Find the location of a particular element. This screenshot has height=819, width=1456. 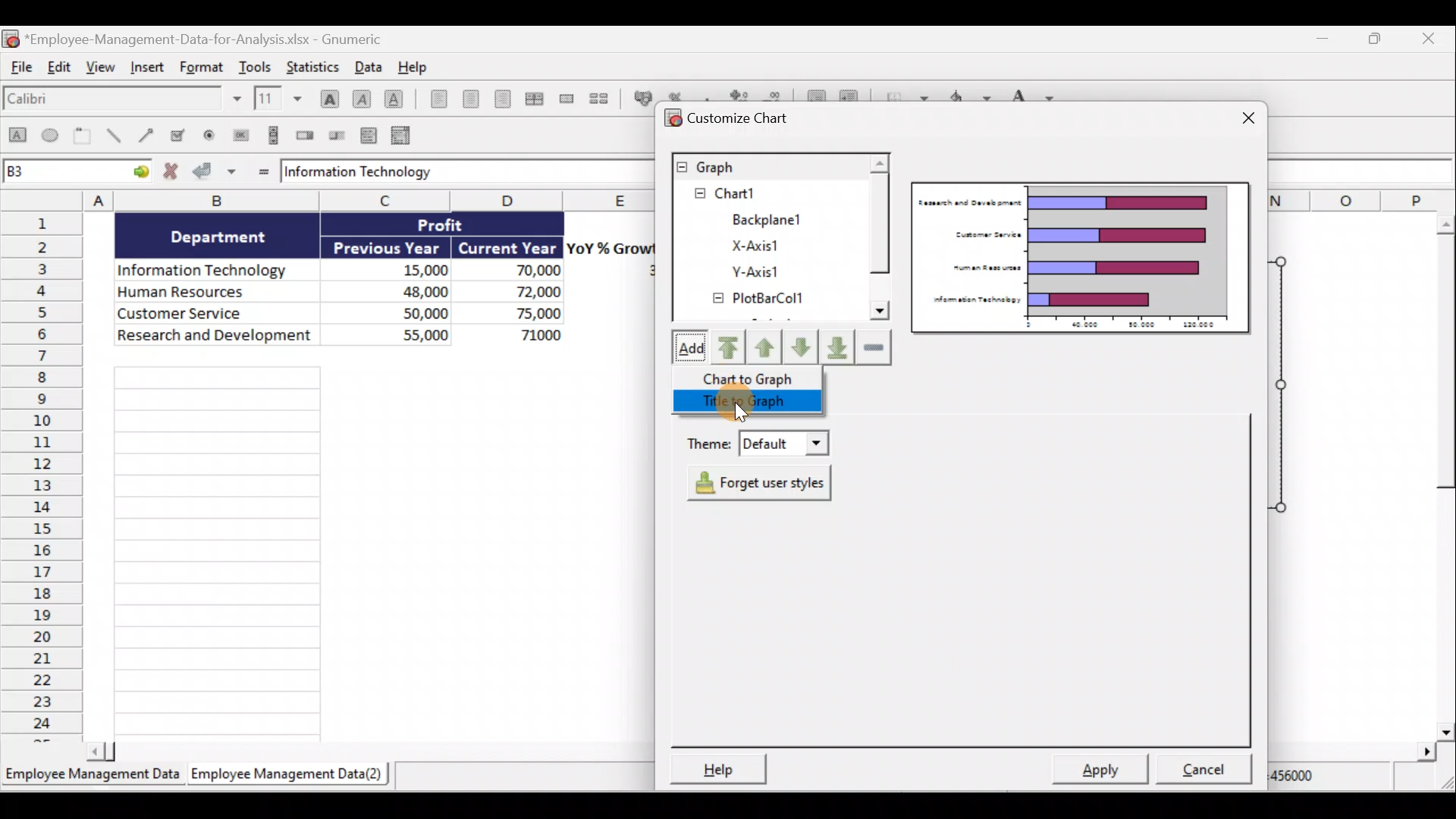

Title to graph is located at coordinates (747, 403).